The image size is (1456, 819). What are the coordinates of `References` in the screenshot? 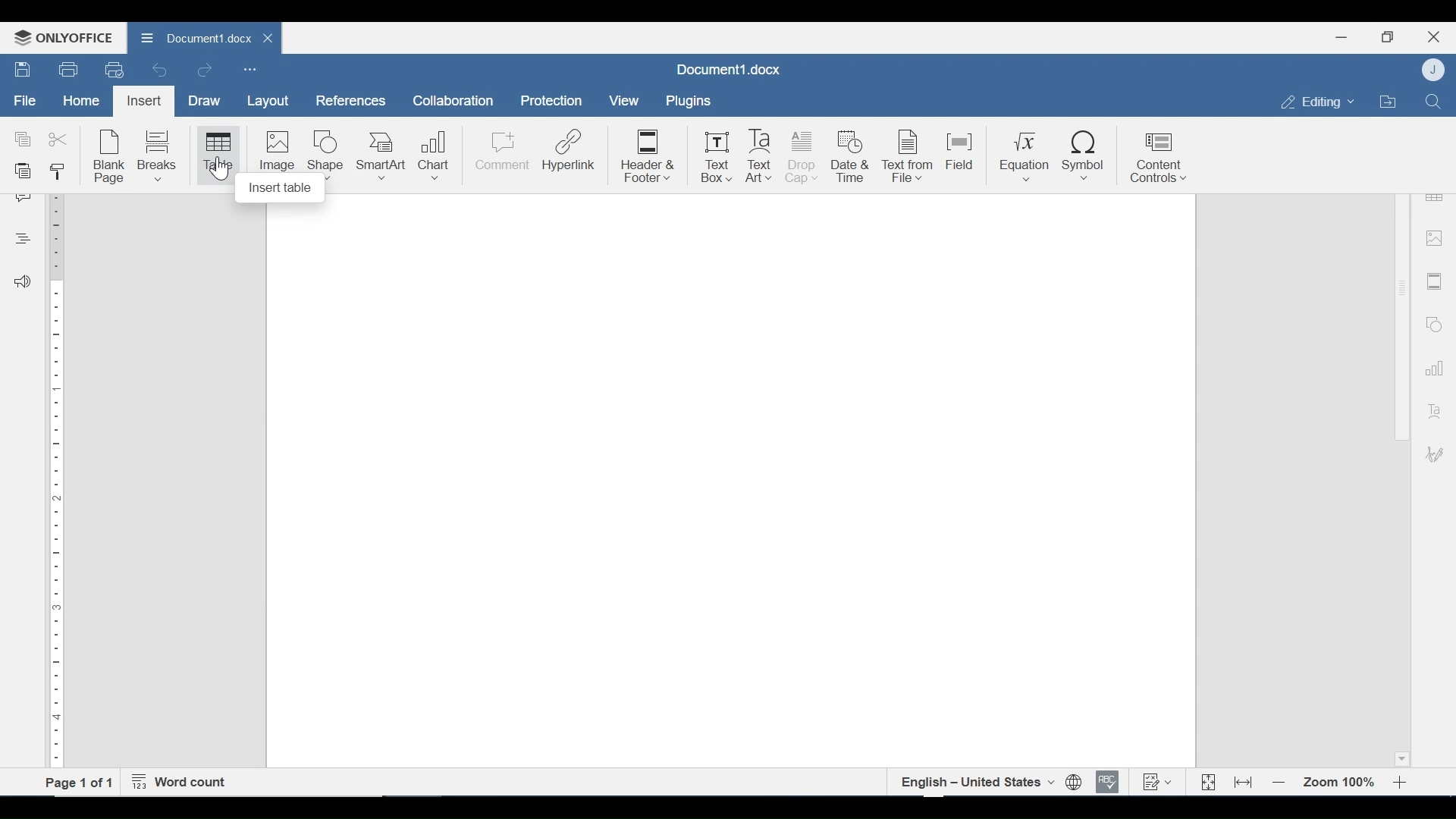 It's located at (349, 101).